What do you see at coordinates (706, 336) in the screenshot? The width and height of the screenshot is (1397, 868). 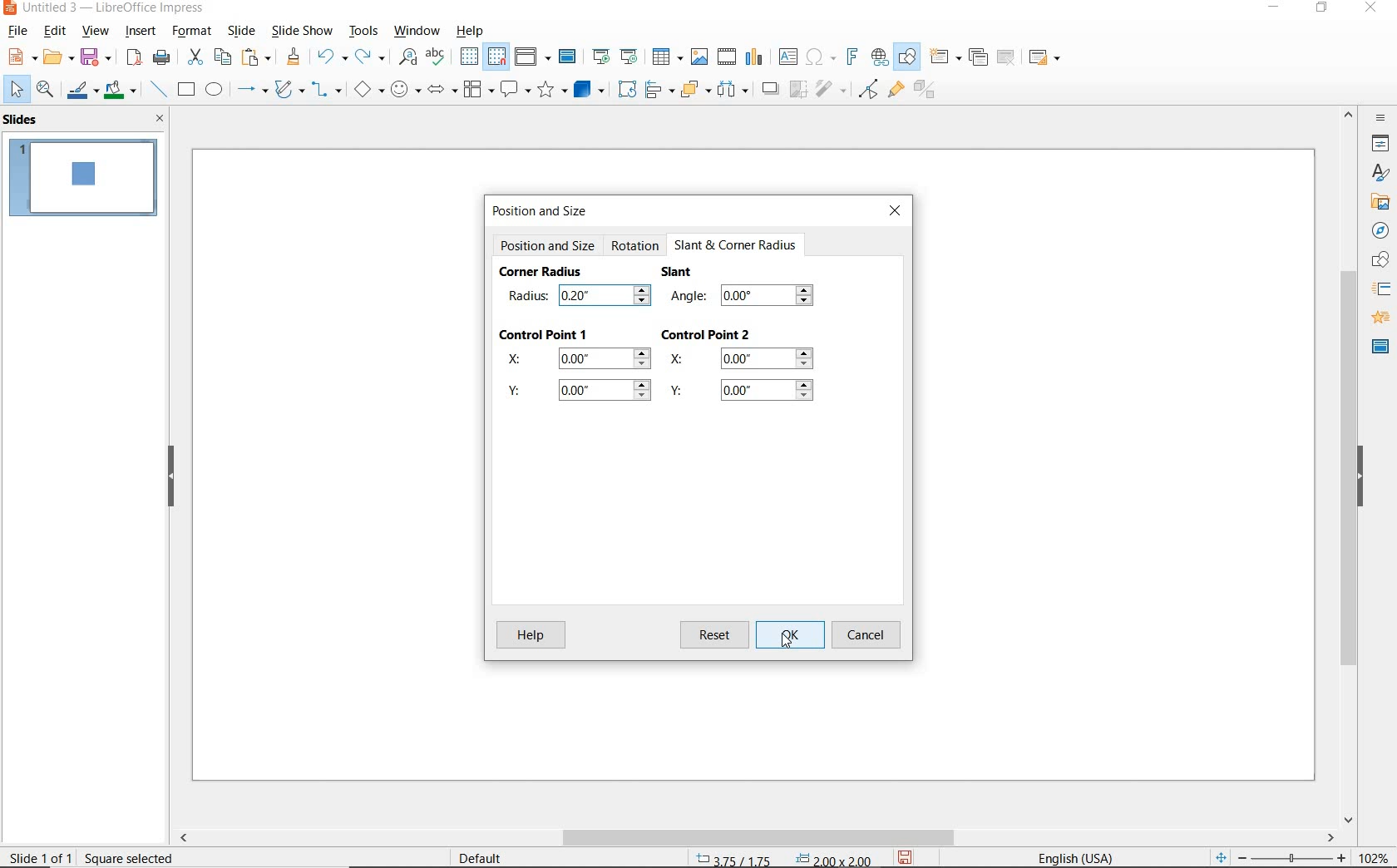 I see `CONTROL POINT 2` at bounding box center [706, 336].